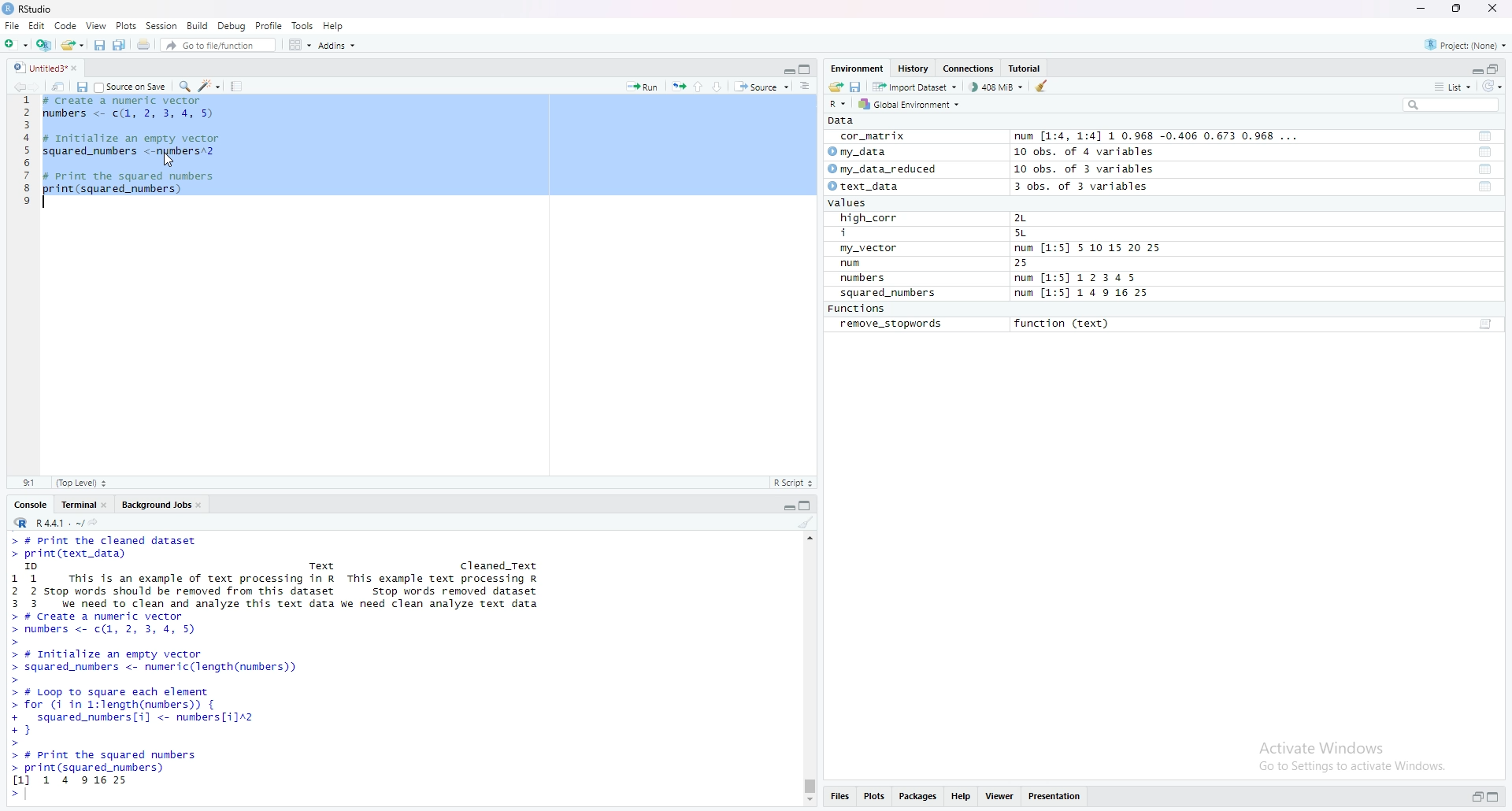 The width and height of the screenshot is (1512, 811). I want to click on Load Workspace, so click(836, 85).